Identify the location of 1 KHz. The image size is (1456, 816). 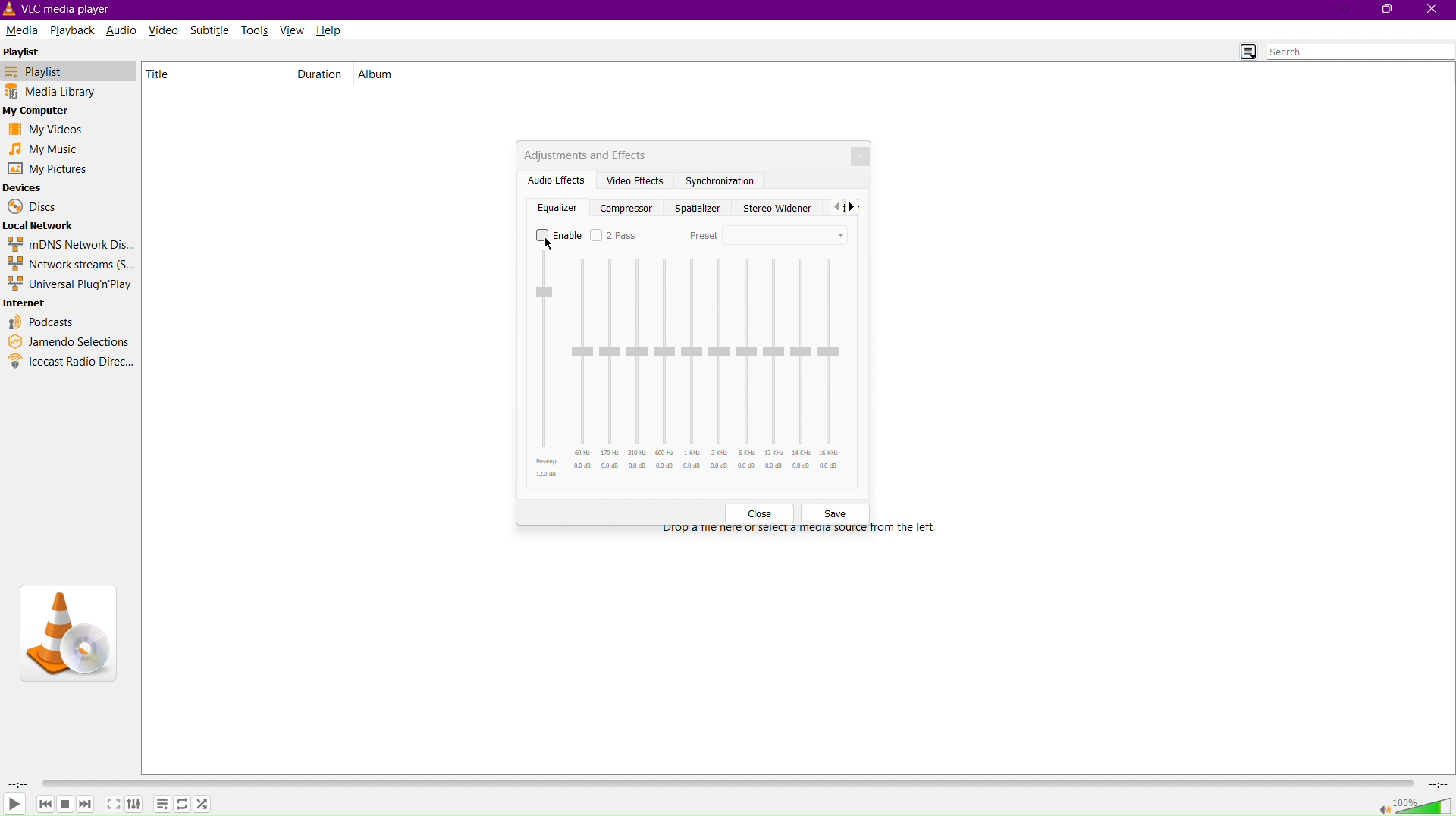
(691, 364).